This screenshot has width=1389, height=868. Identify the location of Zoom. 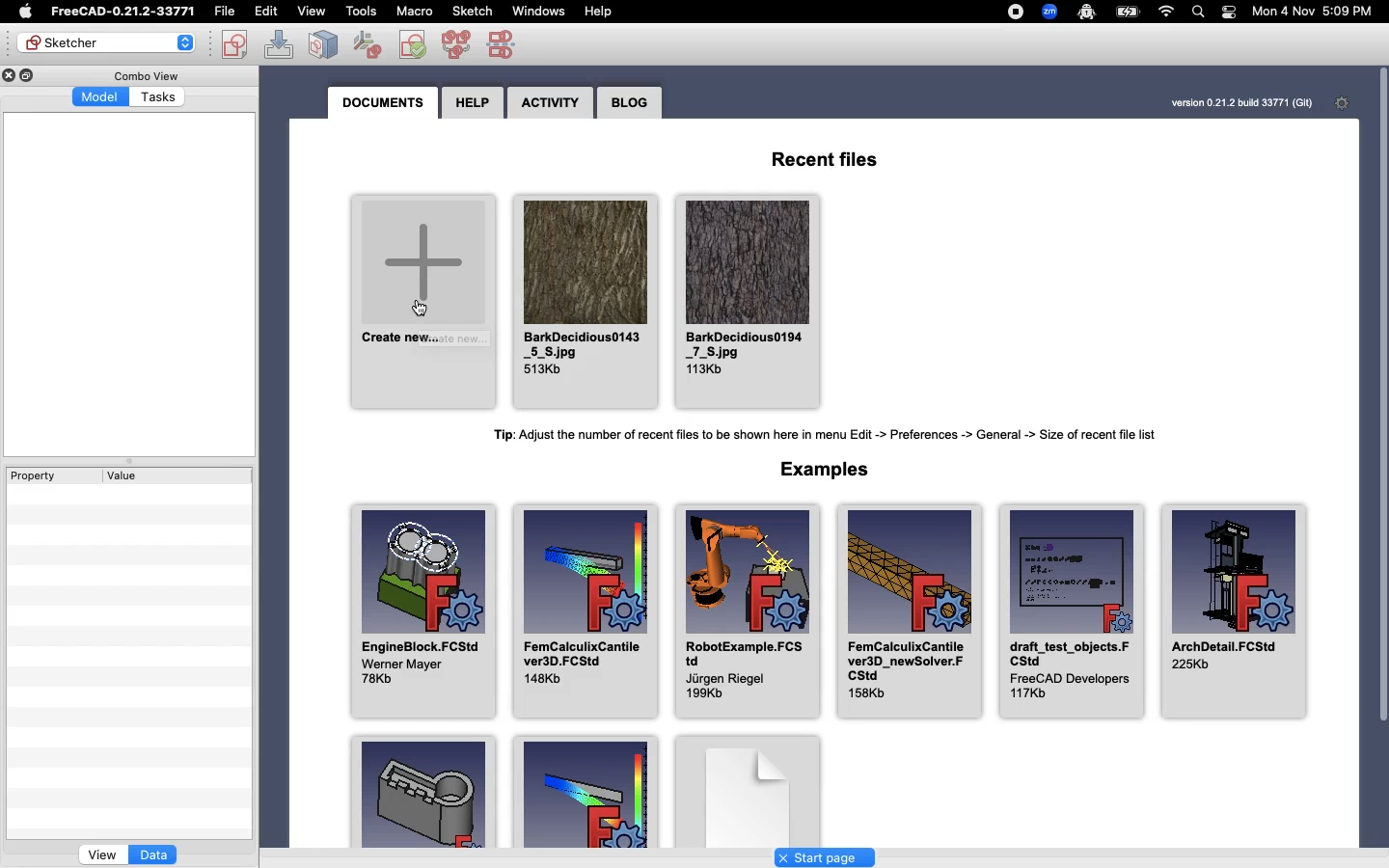
(1049, 13).